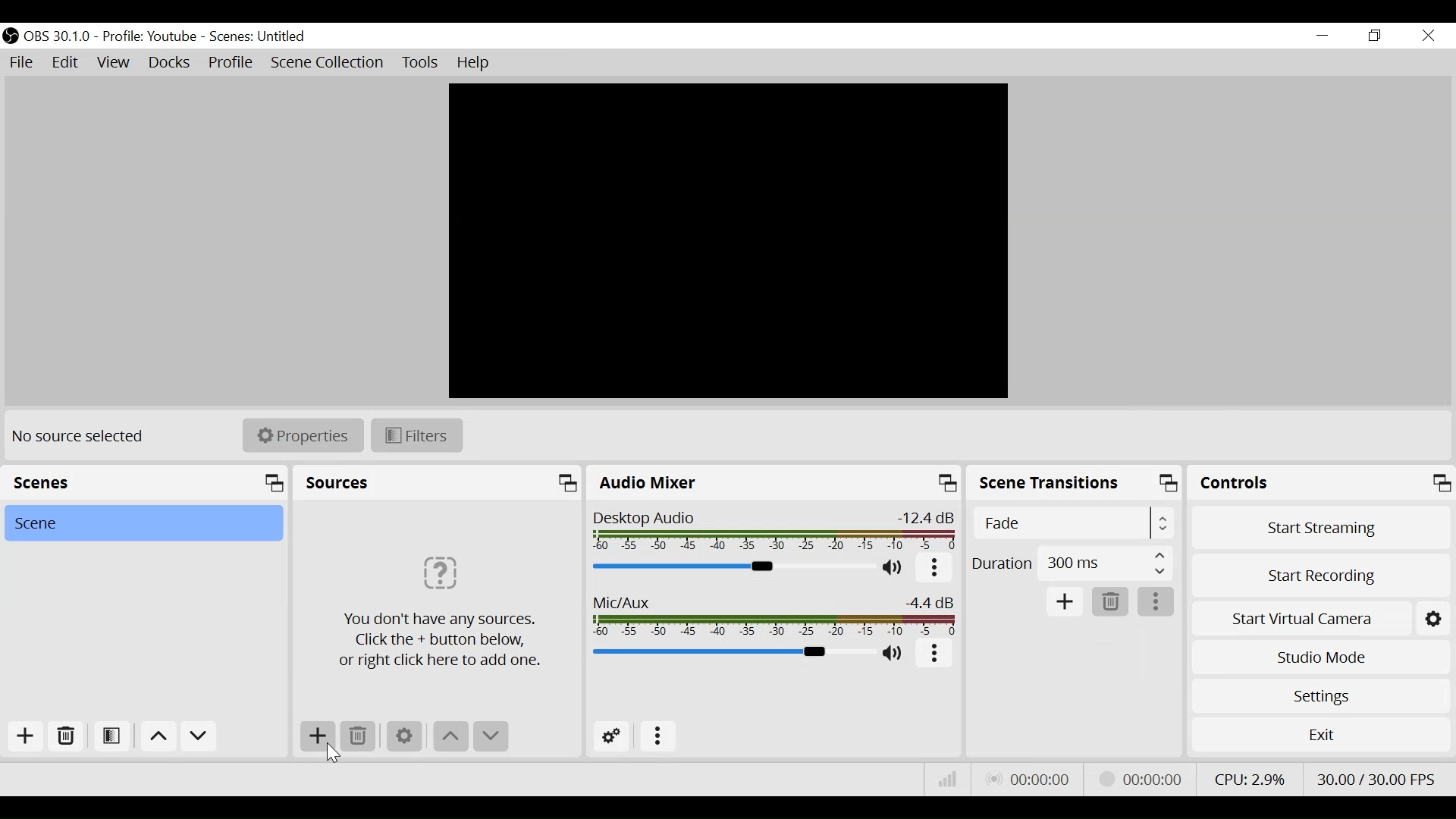  Describe the element at coordinates (1321, 739) in the screenshot. I see `Exit` at that location.